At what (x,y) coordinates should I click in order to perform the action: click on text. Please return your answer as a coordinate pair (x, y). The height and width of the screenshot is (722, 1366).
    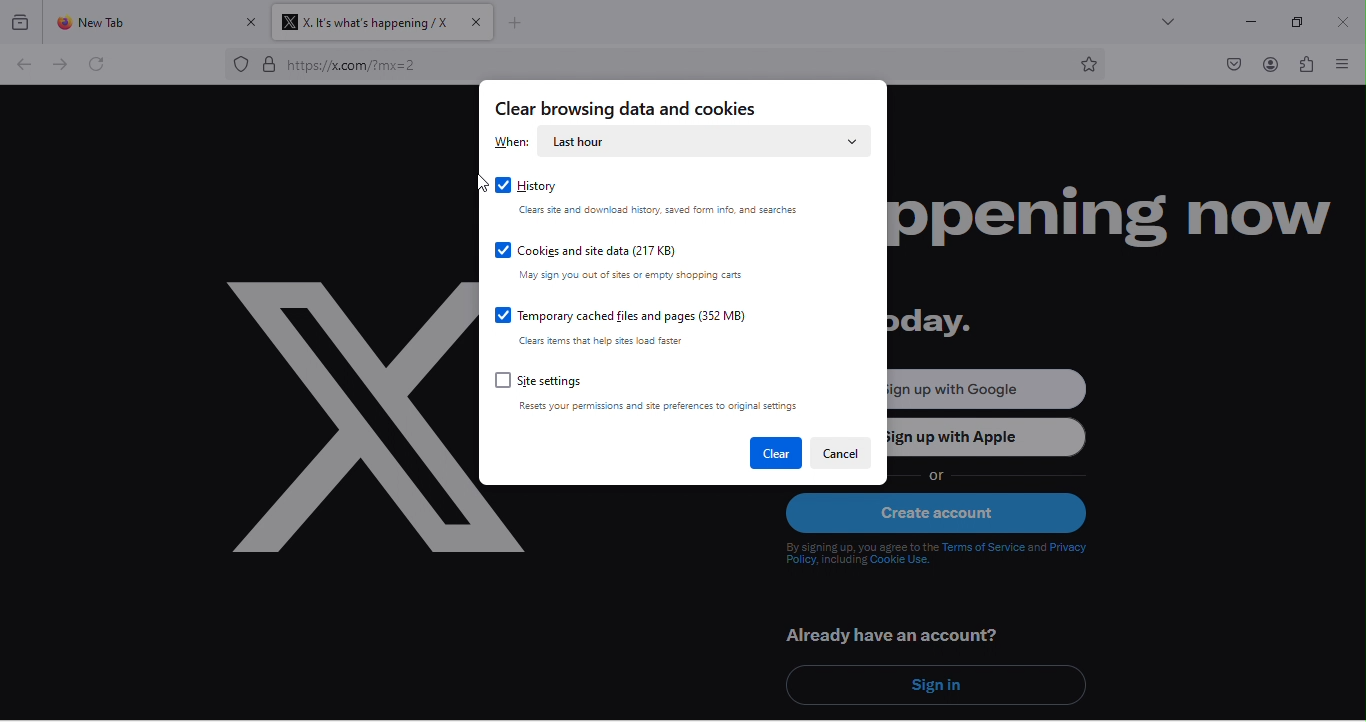
    Looking at the image, I should click on (940, 559).